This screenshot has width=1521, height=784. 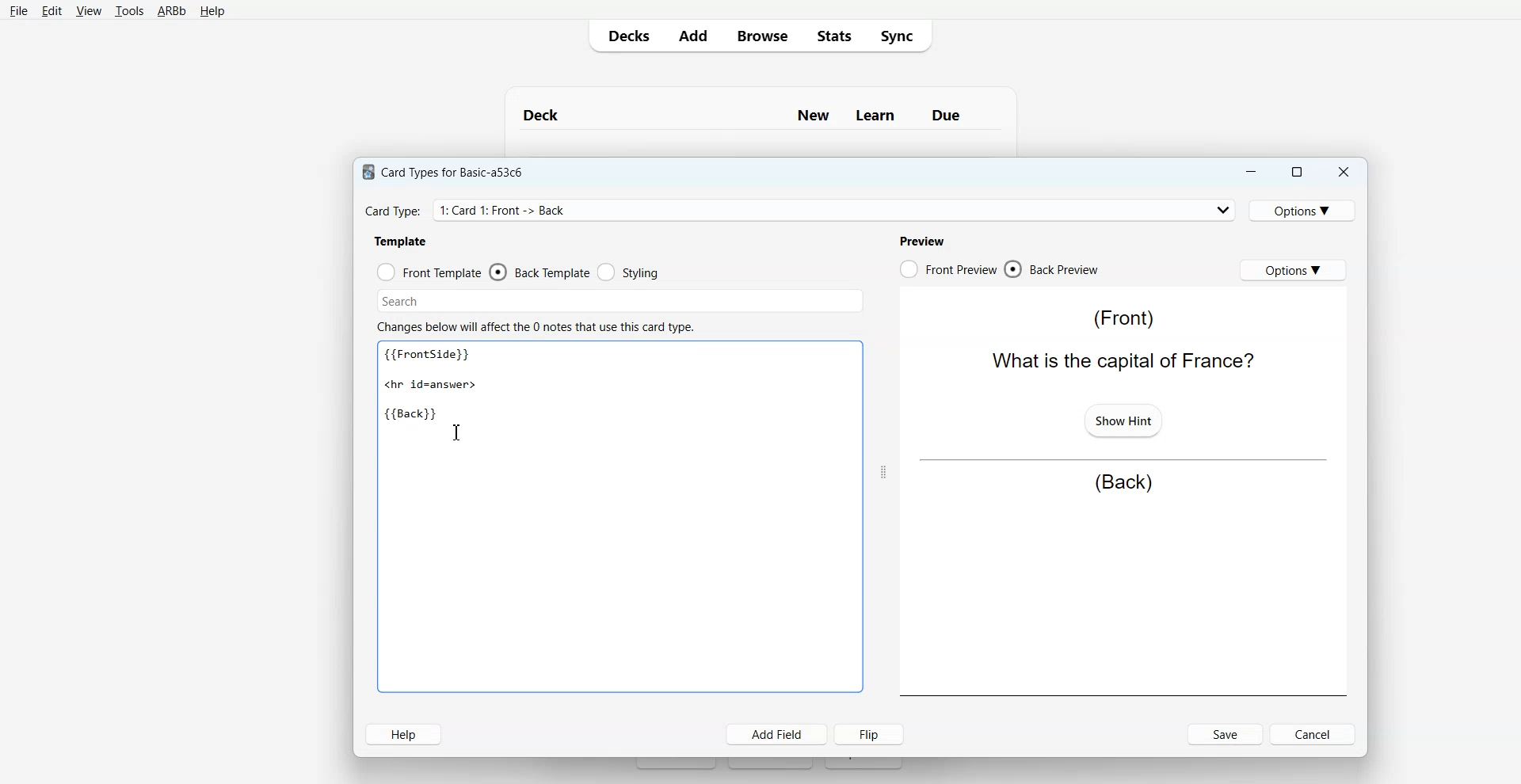 I want to click on Help, so click(x=403, y=734).